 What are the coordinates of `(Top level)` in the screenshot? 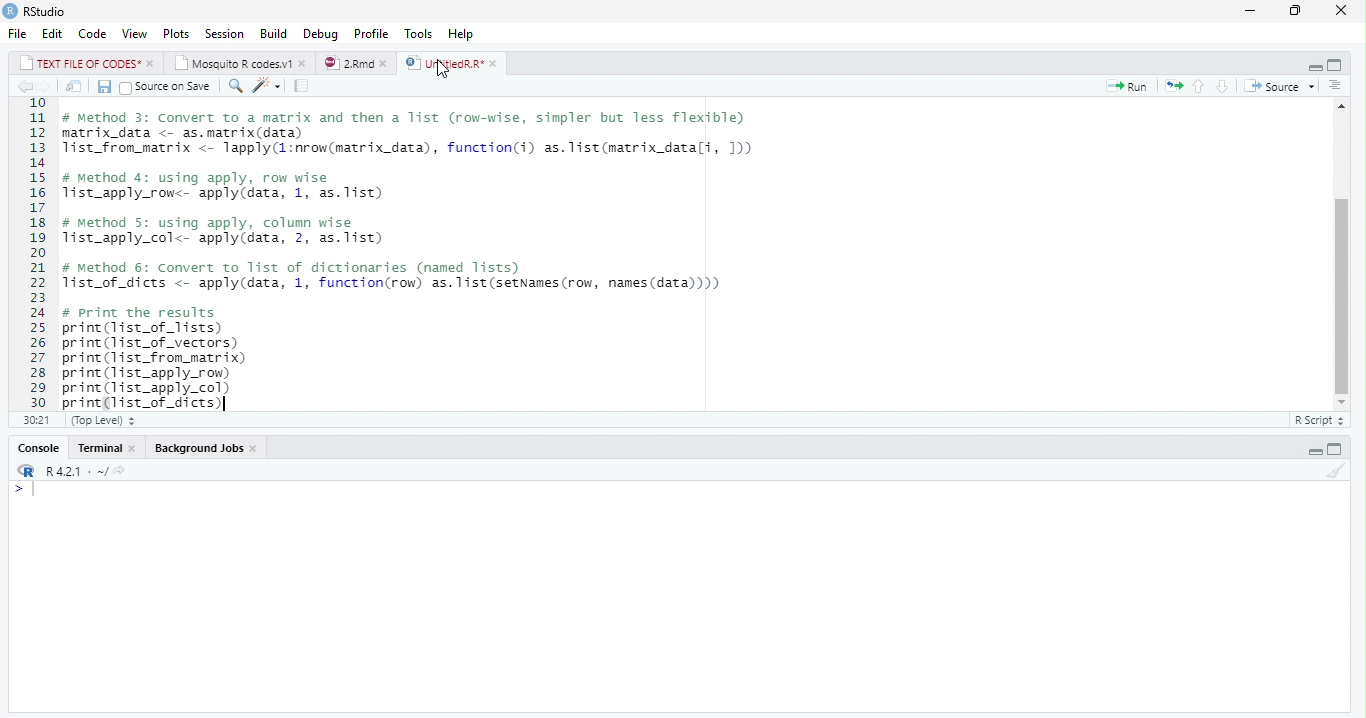 It's located at (107, 421).